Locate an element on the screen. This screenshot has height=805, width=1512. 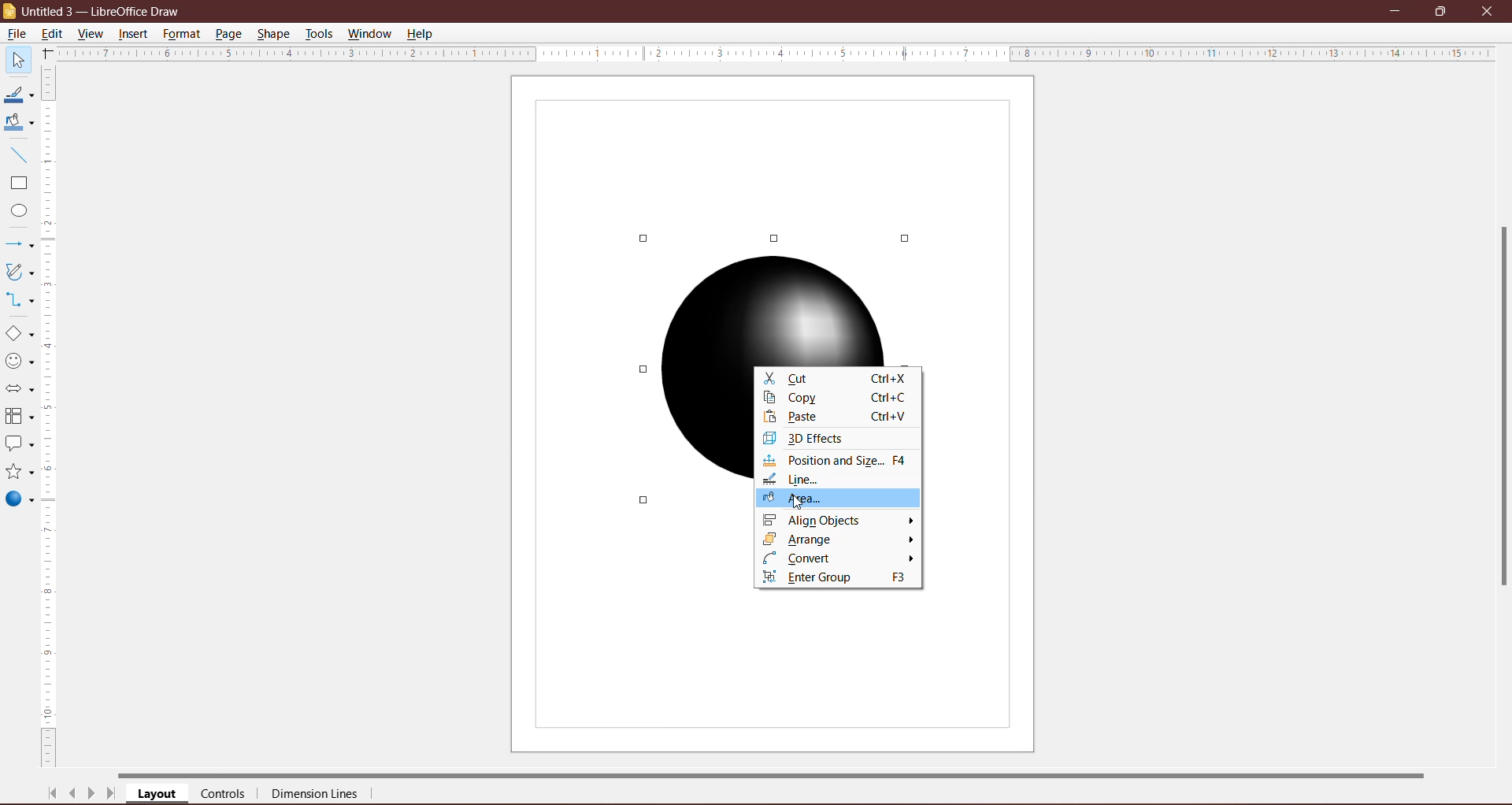
Connectors is located at coordinates (18, 301).